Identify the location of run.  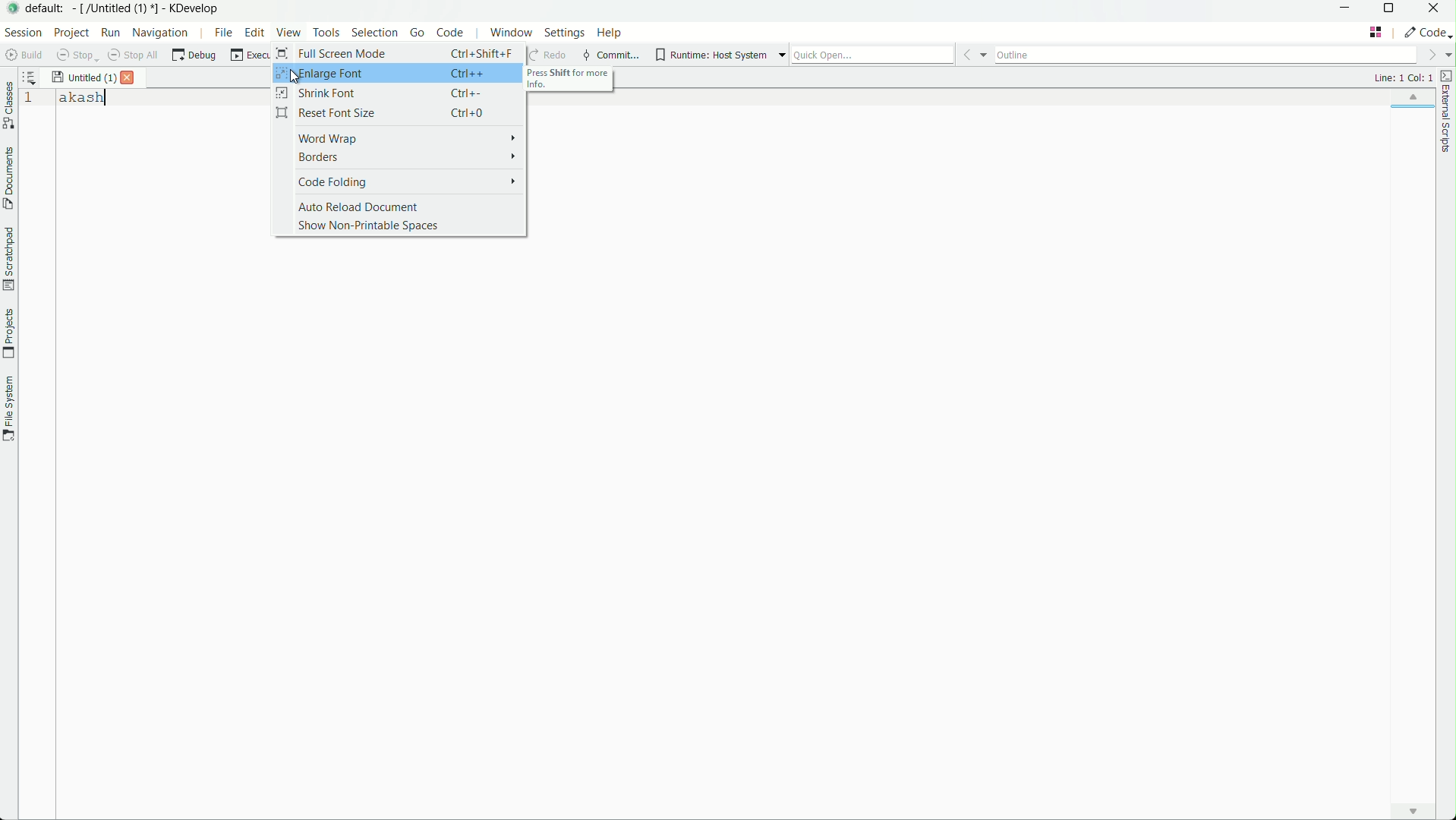
(112, 33).